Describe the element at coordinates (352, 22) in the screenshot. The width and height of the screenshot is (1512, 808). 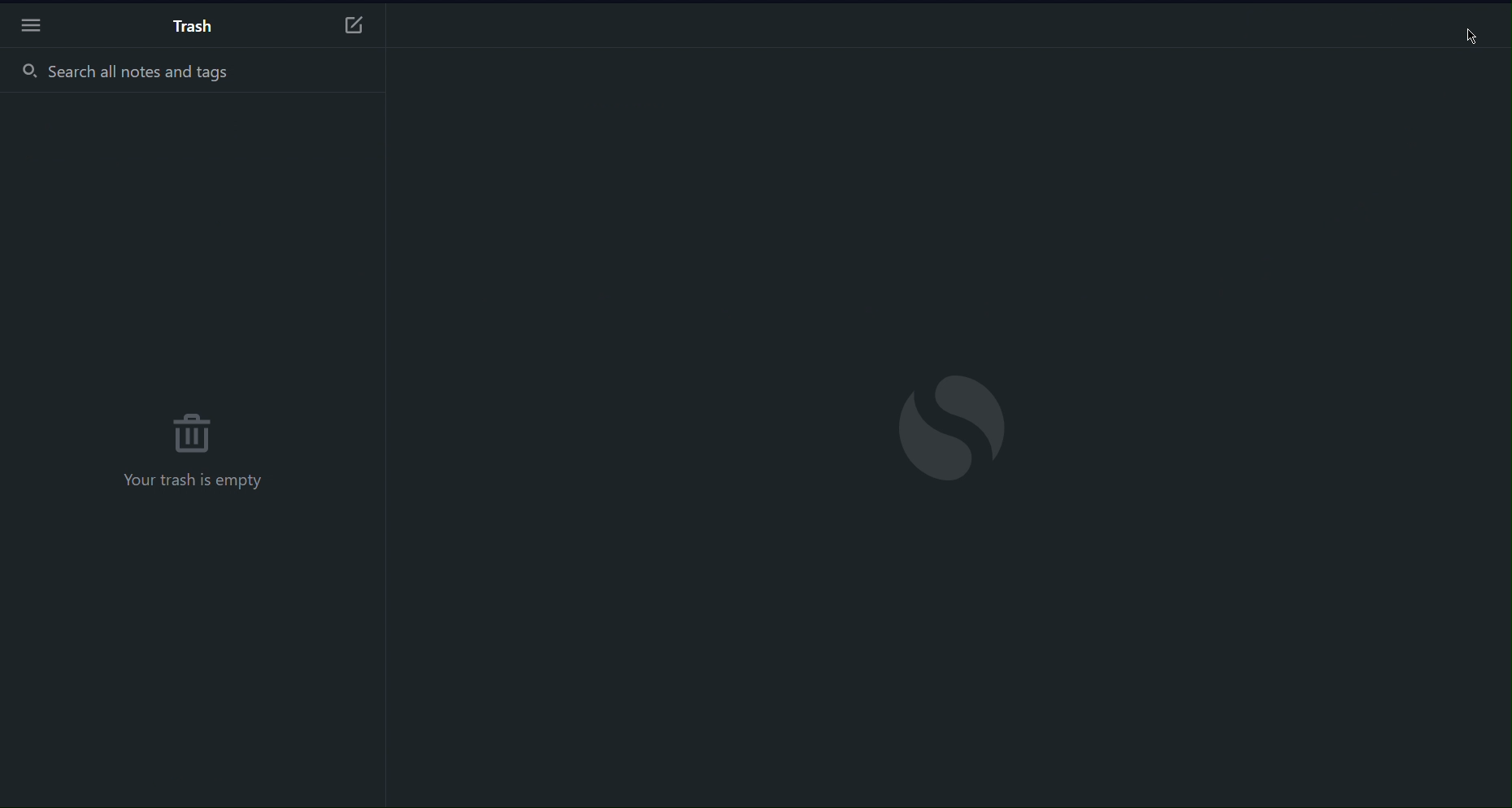
I see `New Notes` at that location.